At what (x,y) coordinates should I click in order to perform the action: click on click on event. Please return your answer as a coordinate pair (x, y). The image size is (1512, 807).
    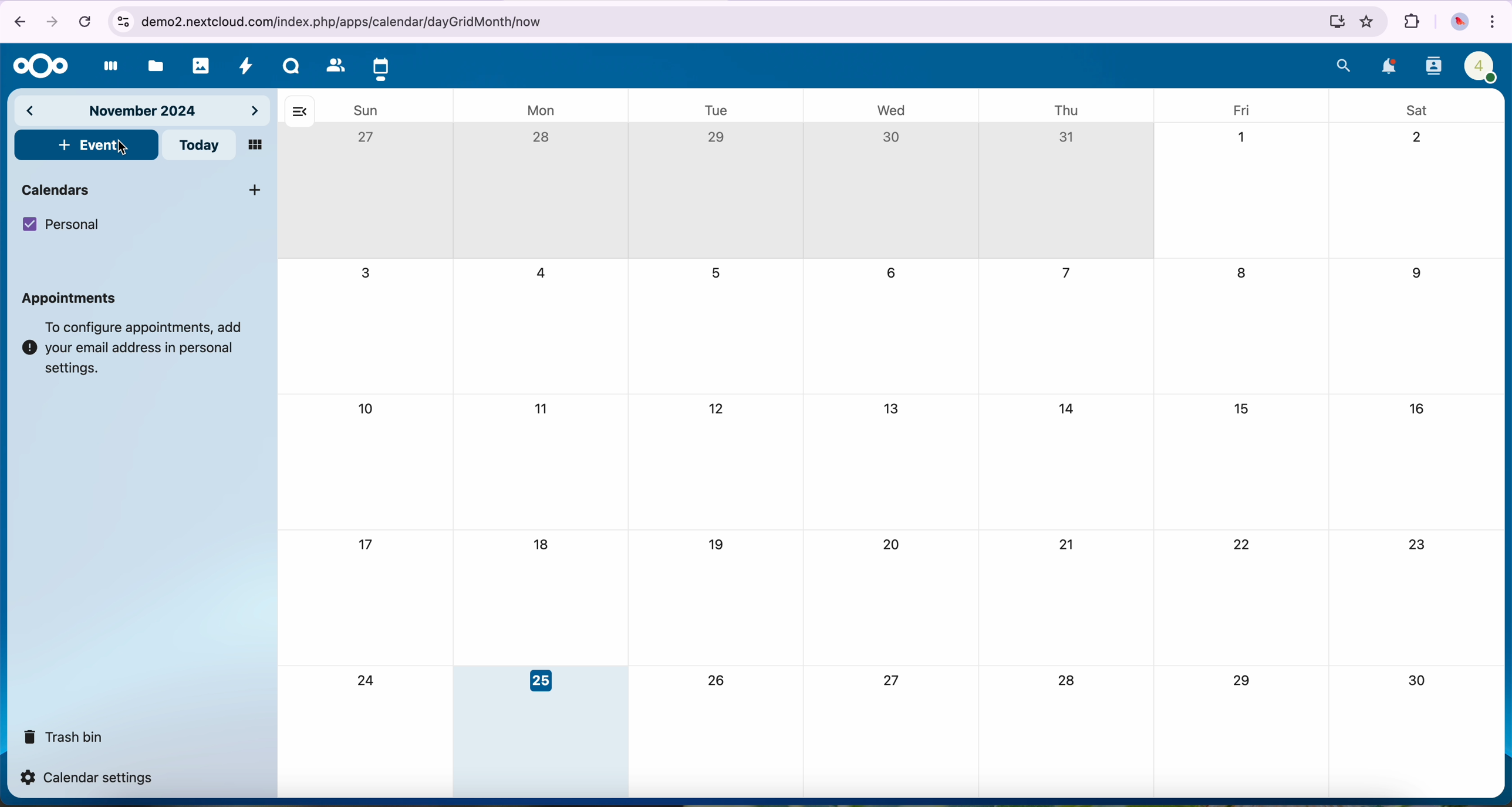
    Looking at the image, I should click on (87, 146).